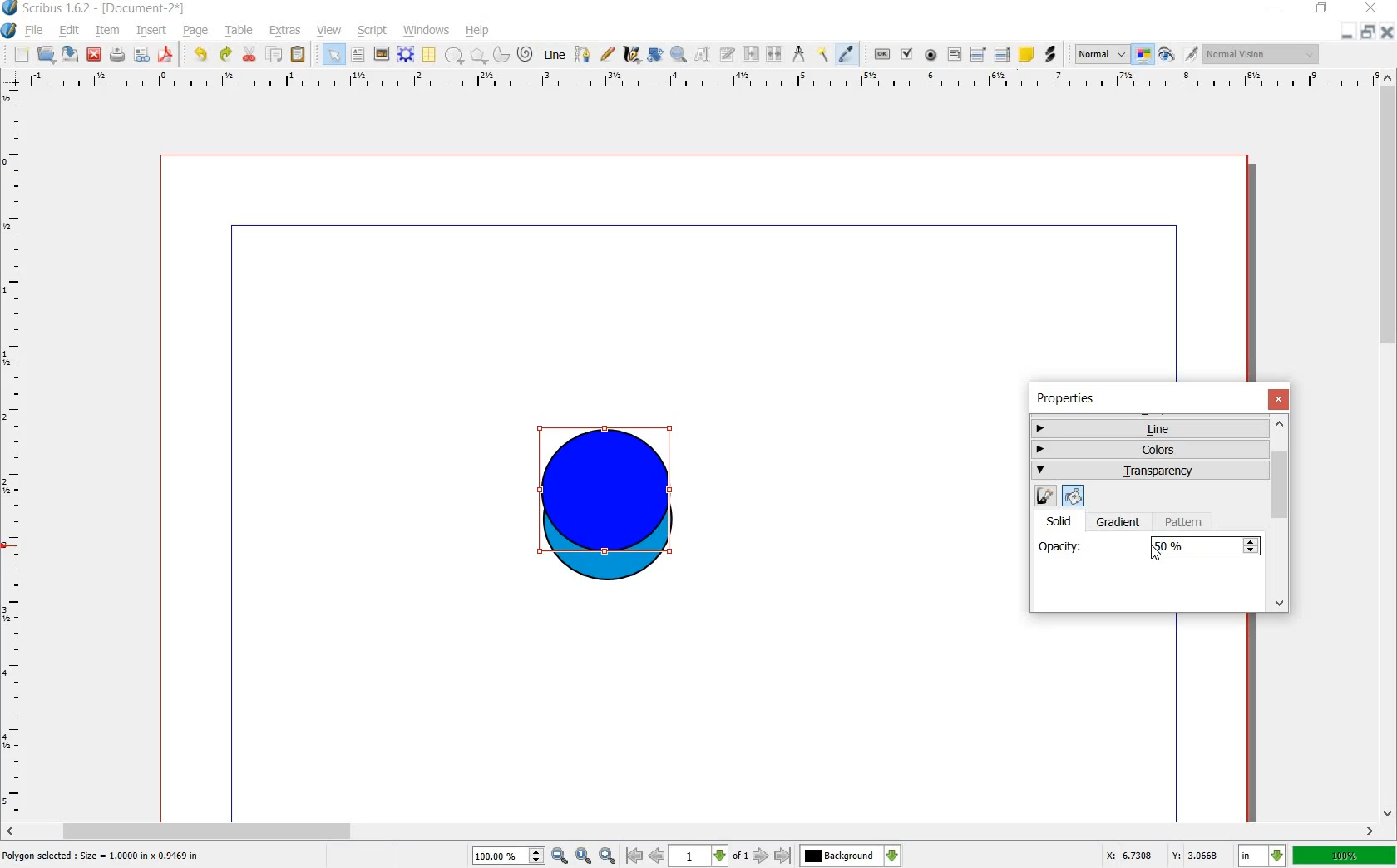 This screenshot has width=1397, height=868. I want to click on save, so click(70, 54).